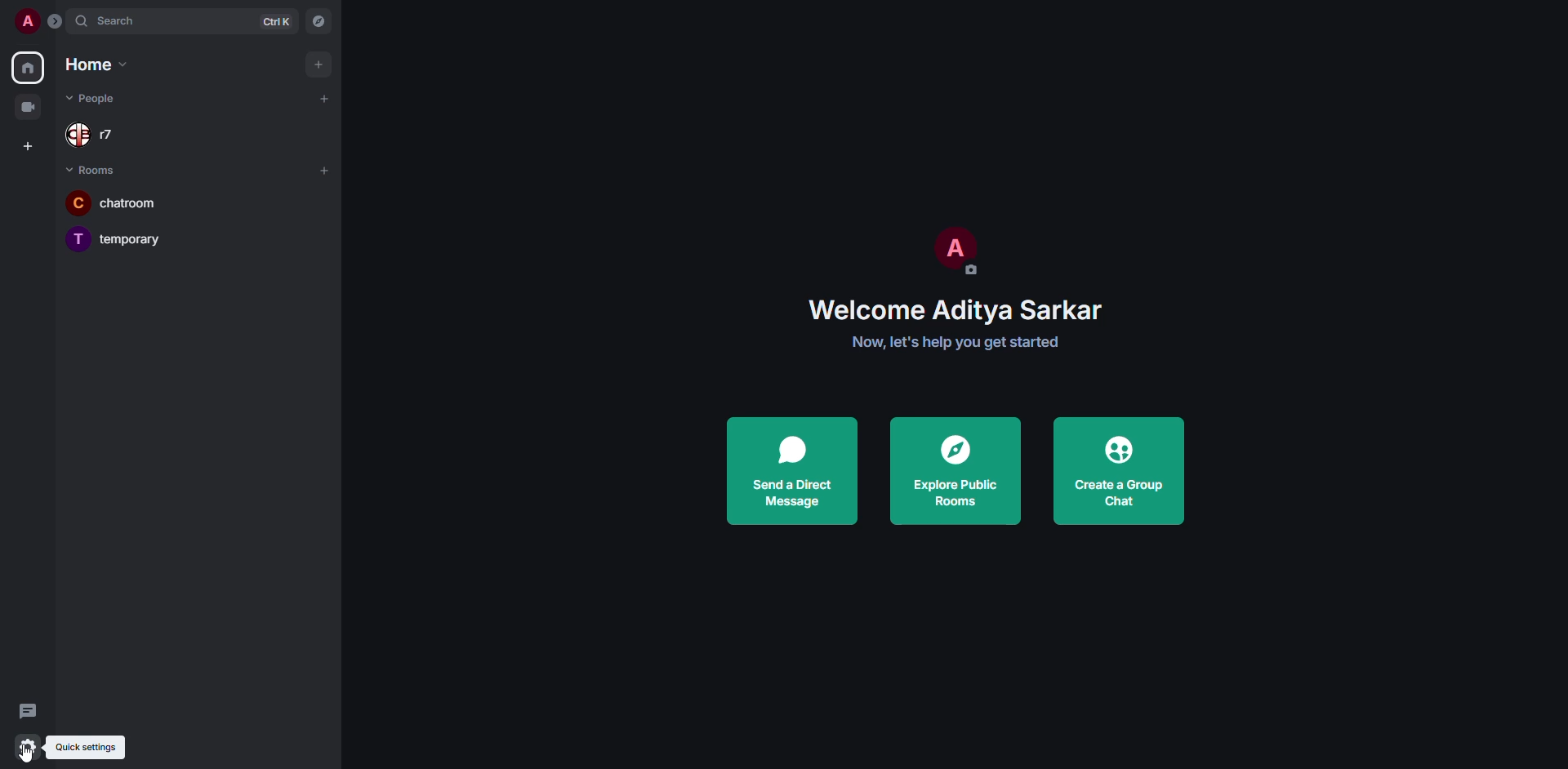 Image resolution: width=1568 pixels, height=769 pixels. What do you see at coordinates (792, 473) in the screenshot?
I see `send a direct message` at bounding box center [792, 473].